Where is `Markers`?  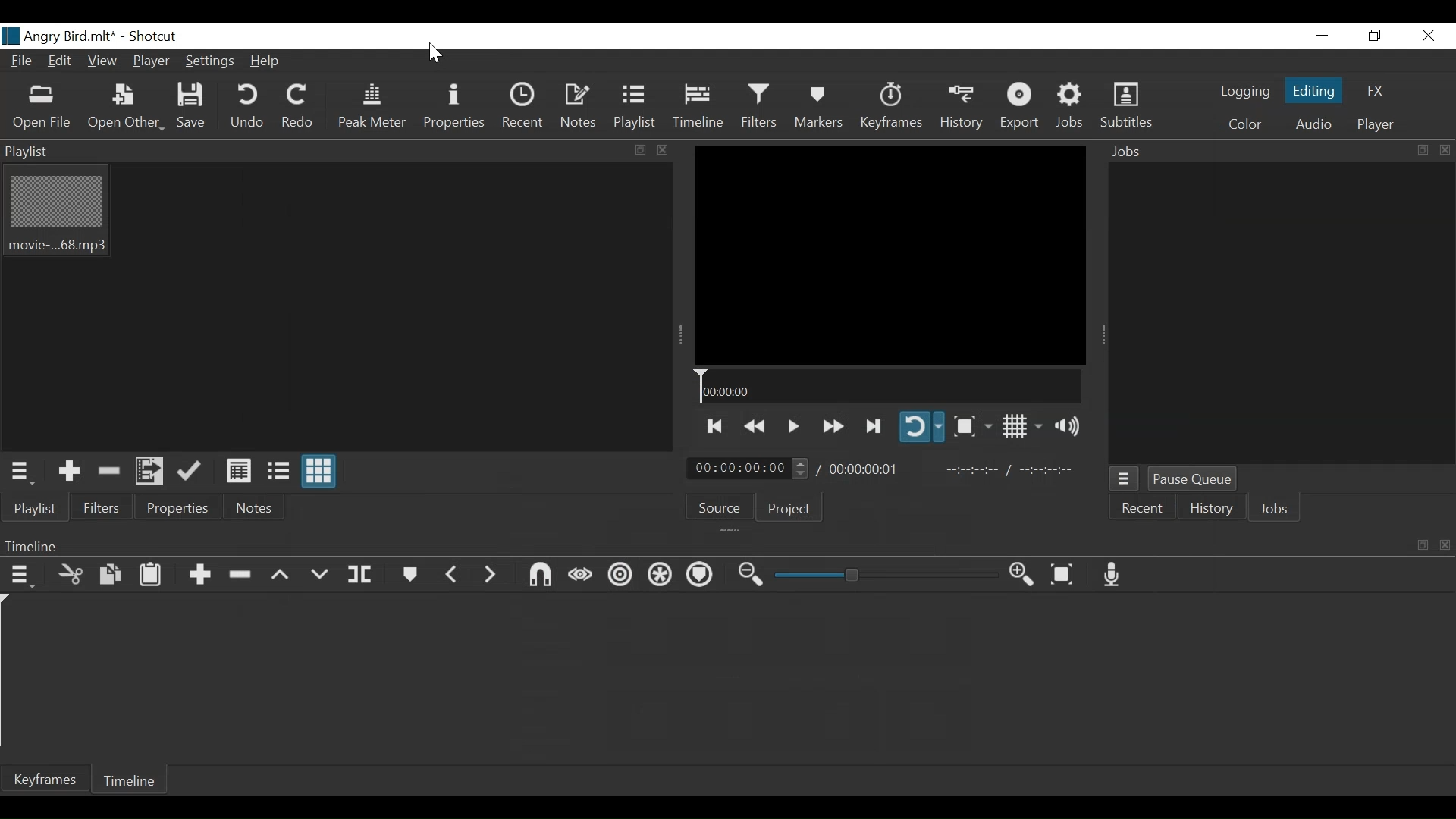 Markers is located at coordinates (818, 105).